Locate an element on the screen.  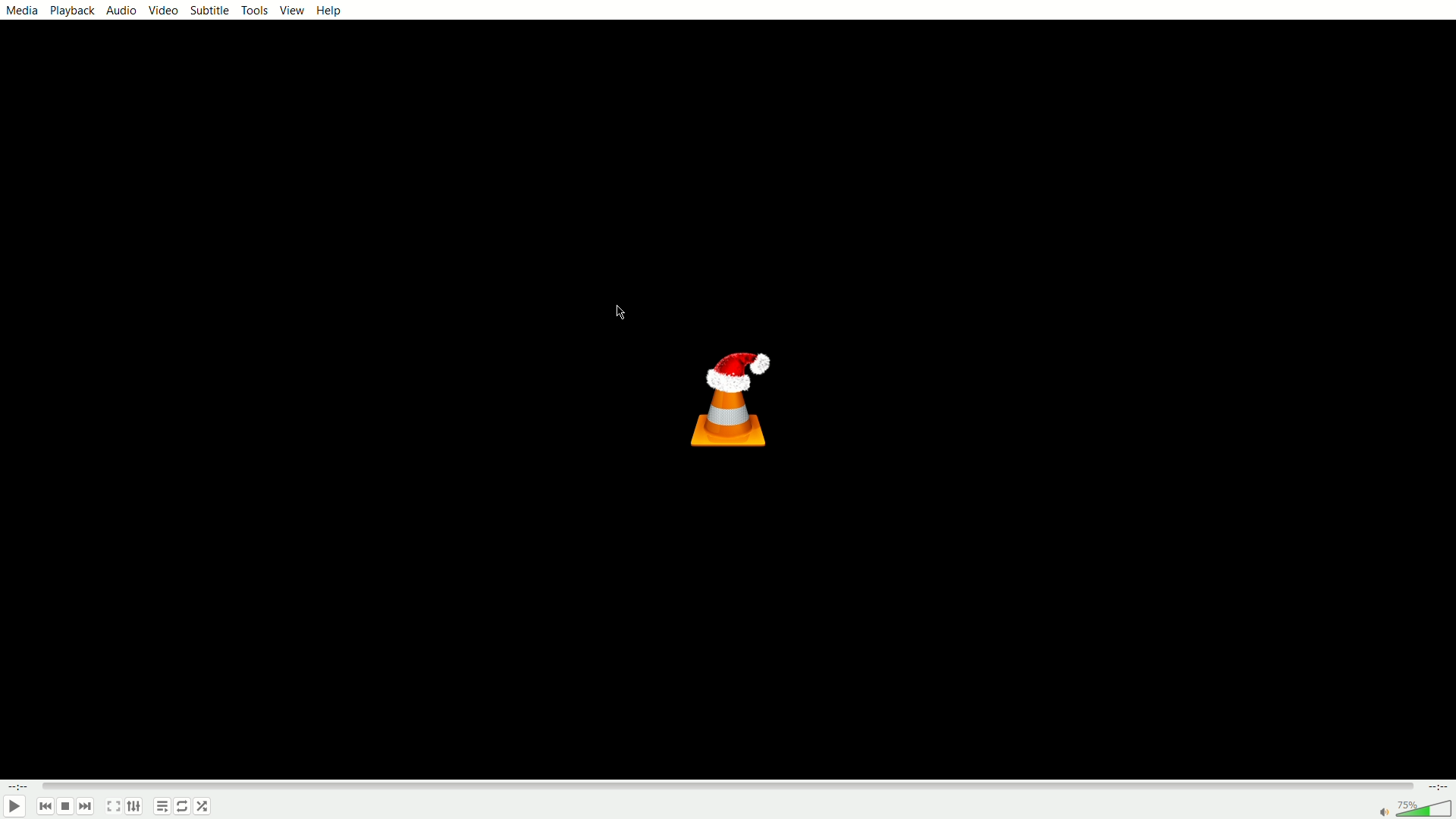
audio is located at coordinates (122, 11).